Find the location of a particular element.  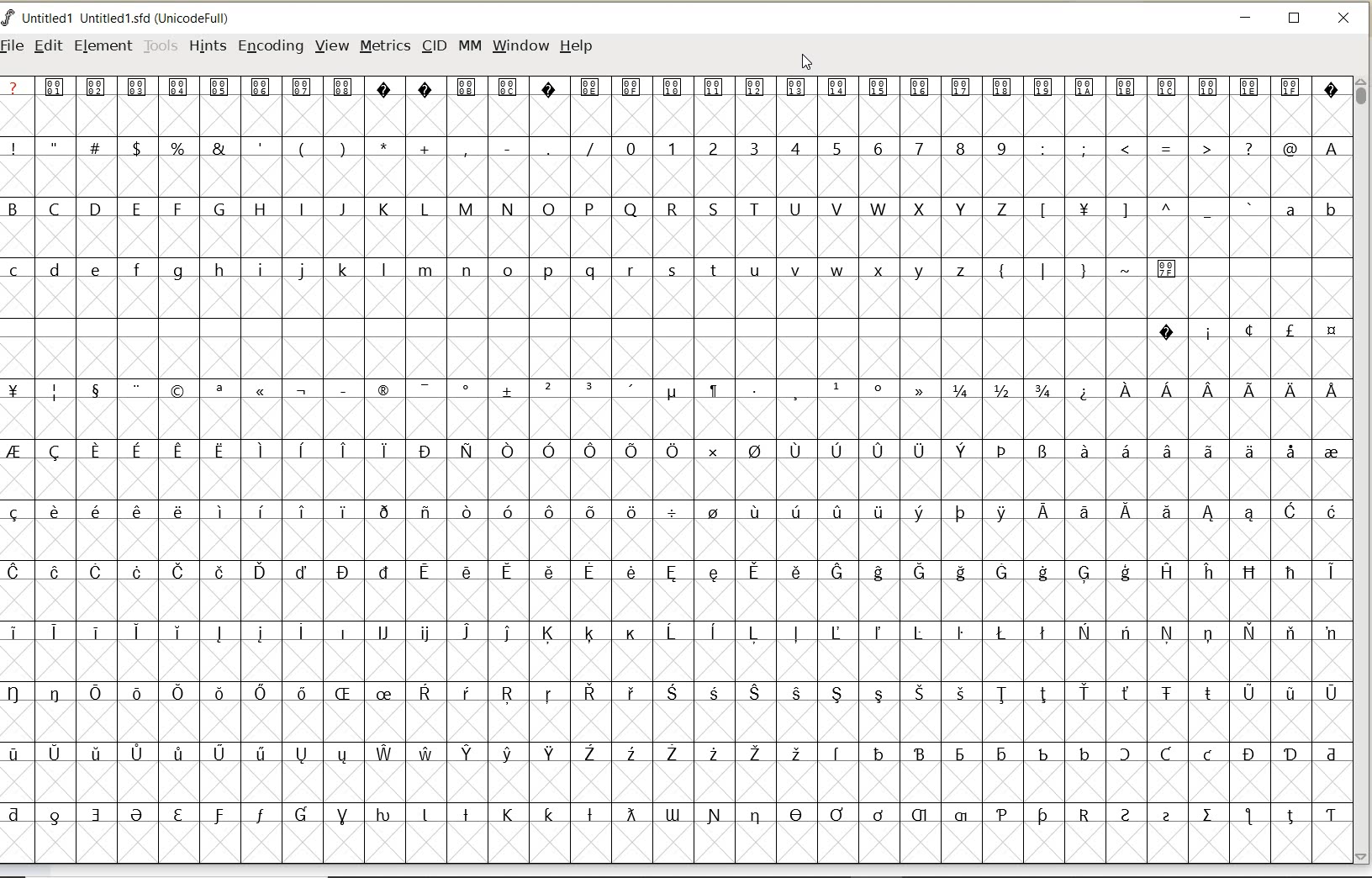

ENCODING is located at coordinates (271, 47).